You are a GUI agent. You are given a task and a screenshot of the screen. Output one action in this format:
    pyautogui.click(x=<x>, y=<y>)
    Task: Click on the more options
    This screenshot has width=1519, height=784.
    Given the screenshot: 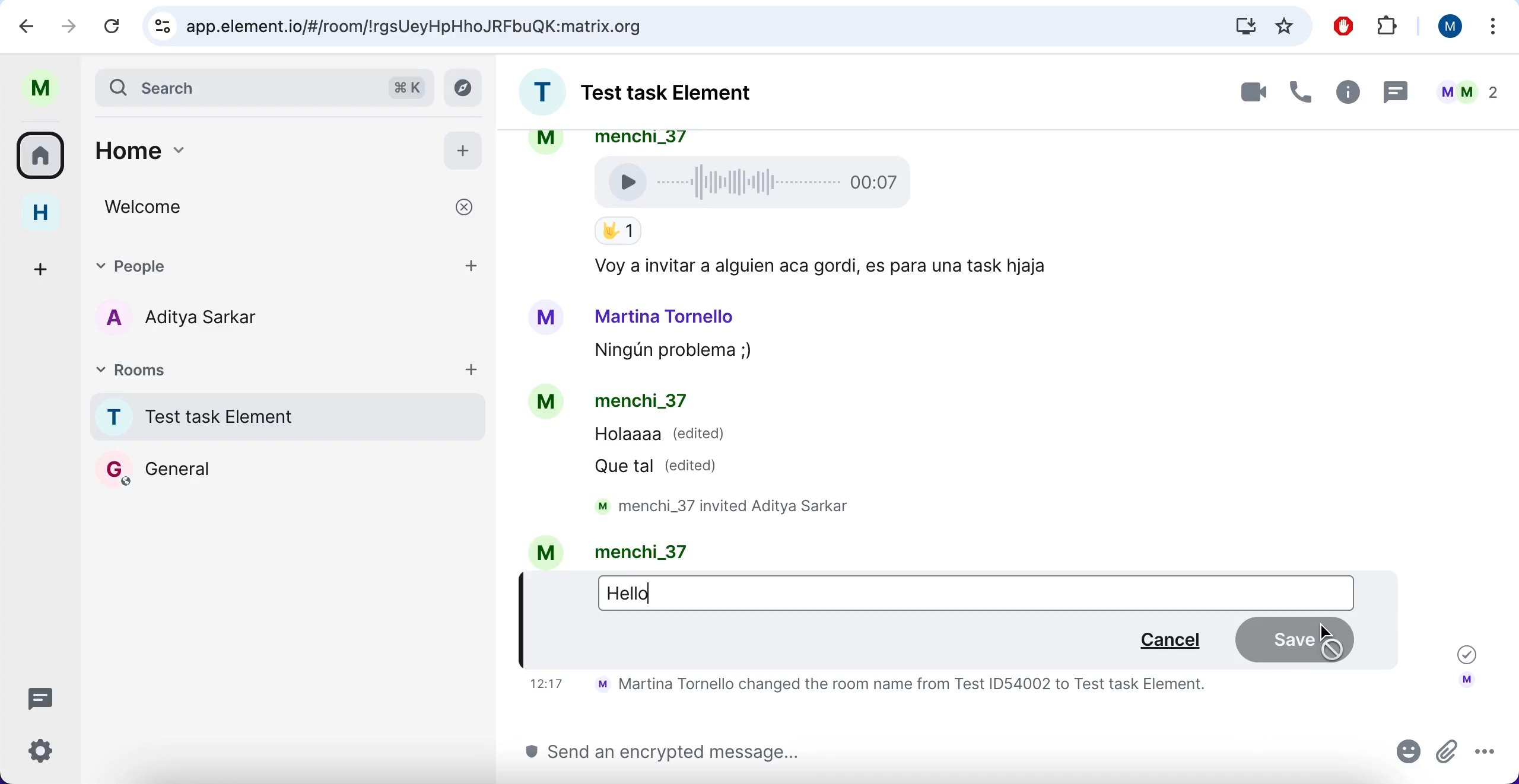 What is the action you would take?
    pyautogui.click(x=1488, y=28)
    